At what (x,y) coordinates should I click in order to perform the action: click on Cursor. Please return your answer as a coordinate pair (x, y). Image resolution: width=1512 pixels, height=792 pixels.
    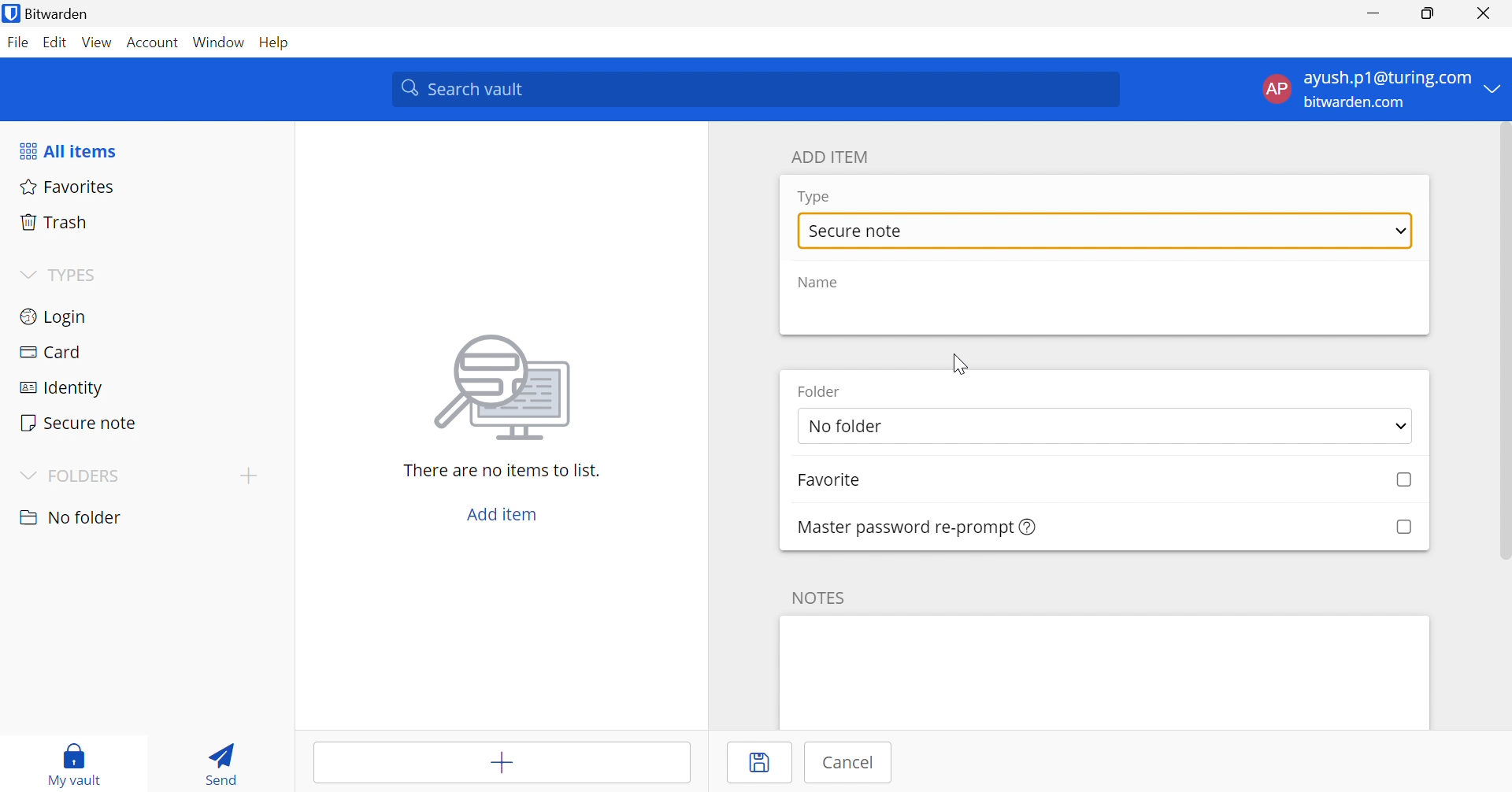
    Looking at the image, I should click on (960, 365).